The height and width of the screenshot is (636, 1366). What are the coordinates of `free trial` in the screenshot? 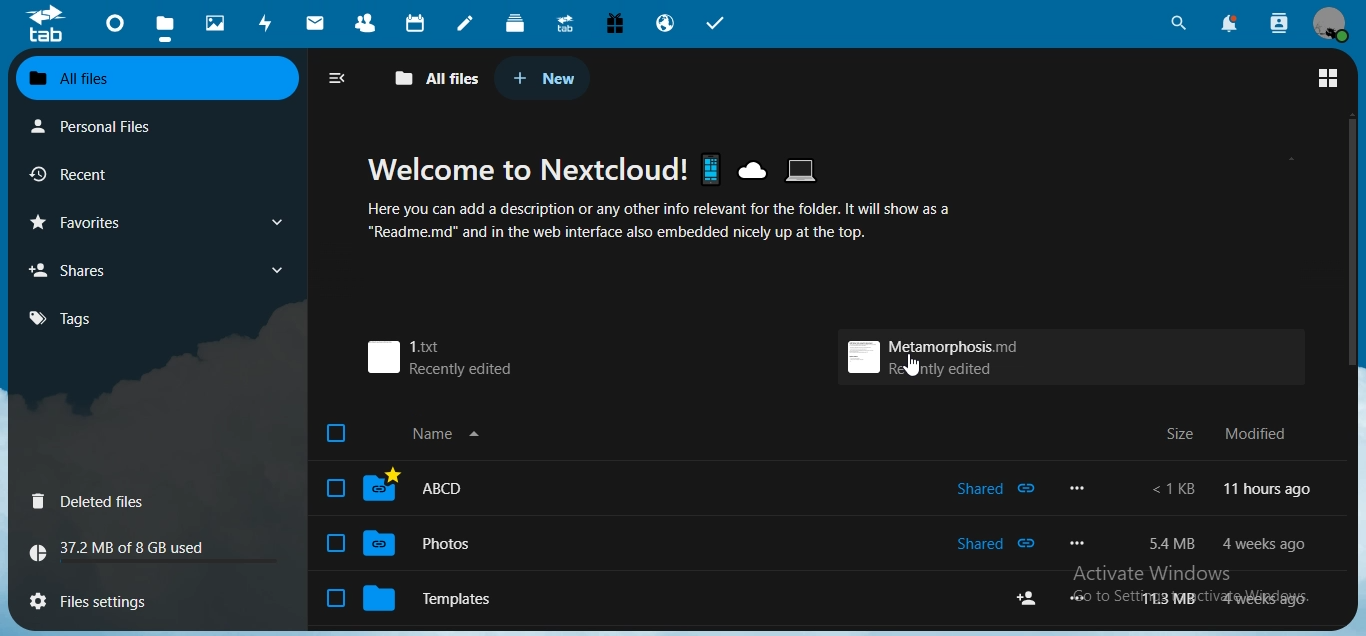 It's located at (615, 23).